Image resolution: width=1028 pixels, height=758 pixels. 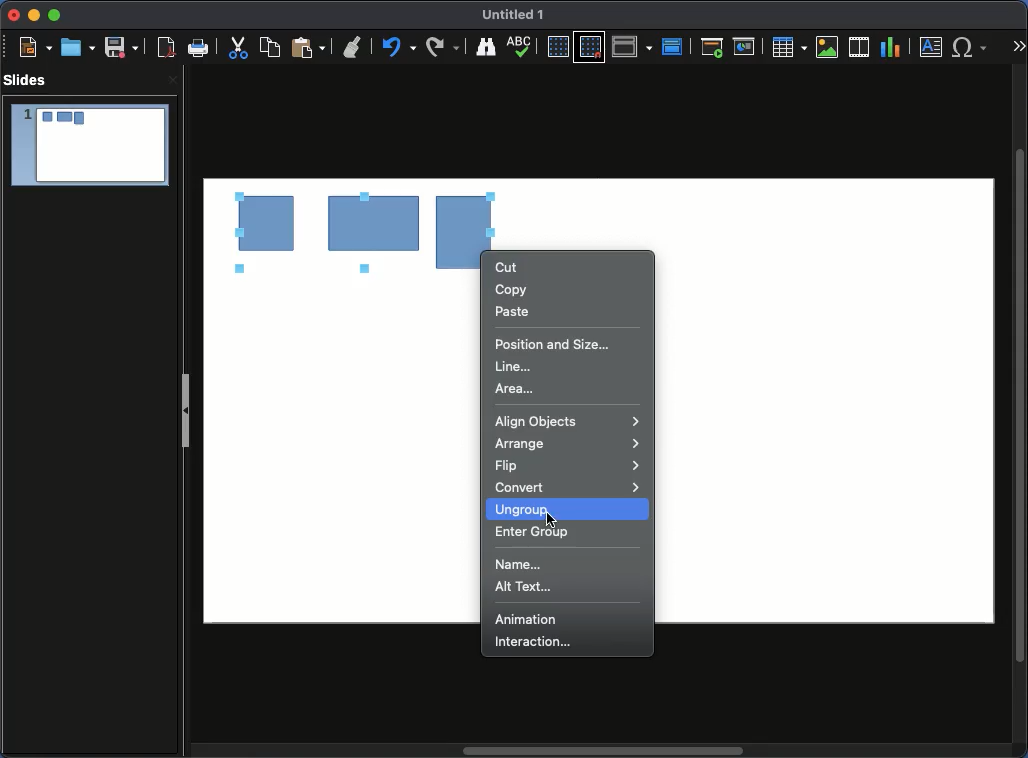 What do you see at coordinates (34, 16) in the screenshot?
I see `Minimize` at bounding box center [34, 16].